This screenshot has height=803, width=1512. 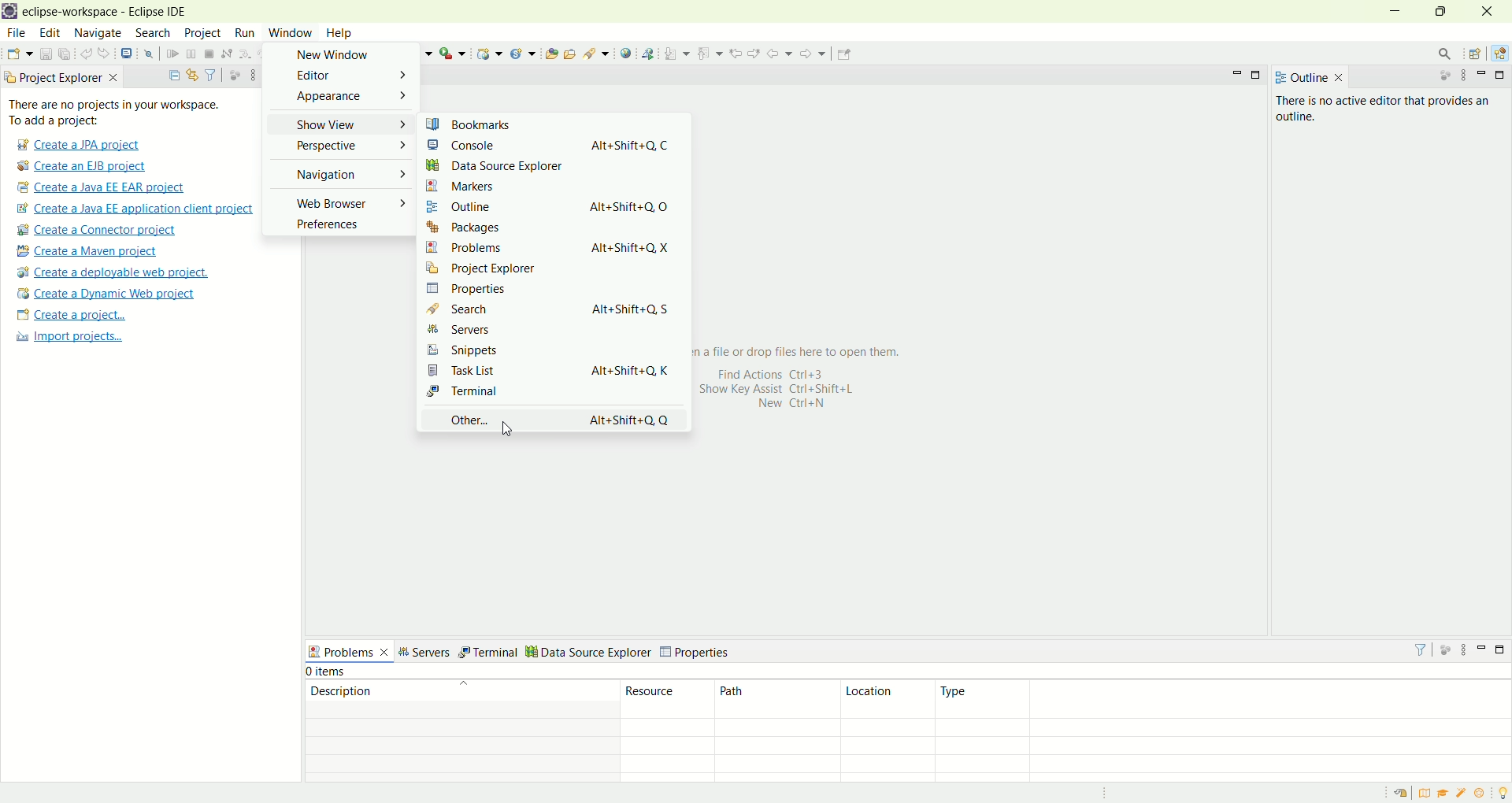 What do you see at coordinates (640, 244) in the screenshot?
I see `AIt+Shift+Q, X` at bounding box center [640, 244].